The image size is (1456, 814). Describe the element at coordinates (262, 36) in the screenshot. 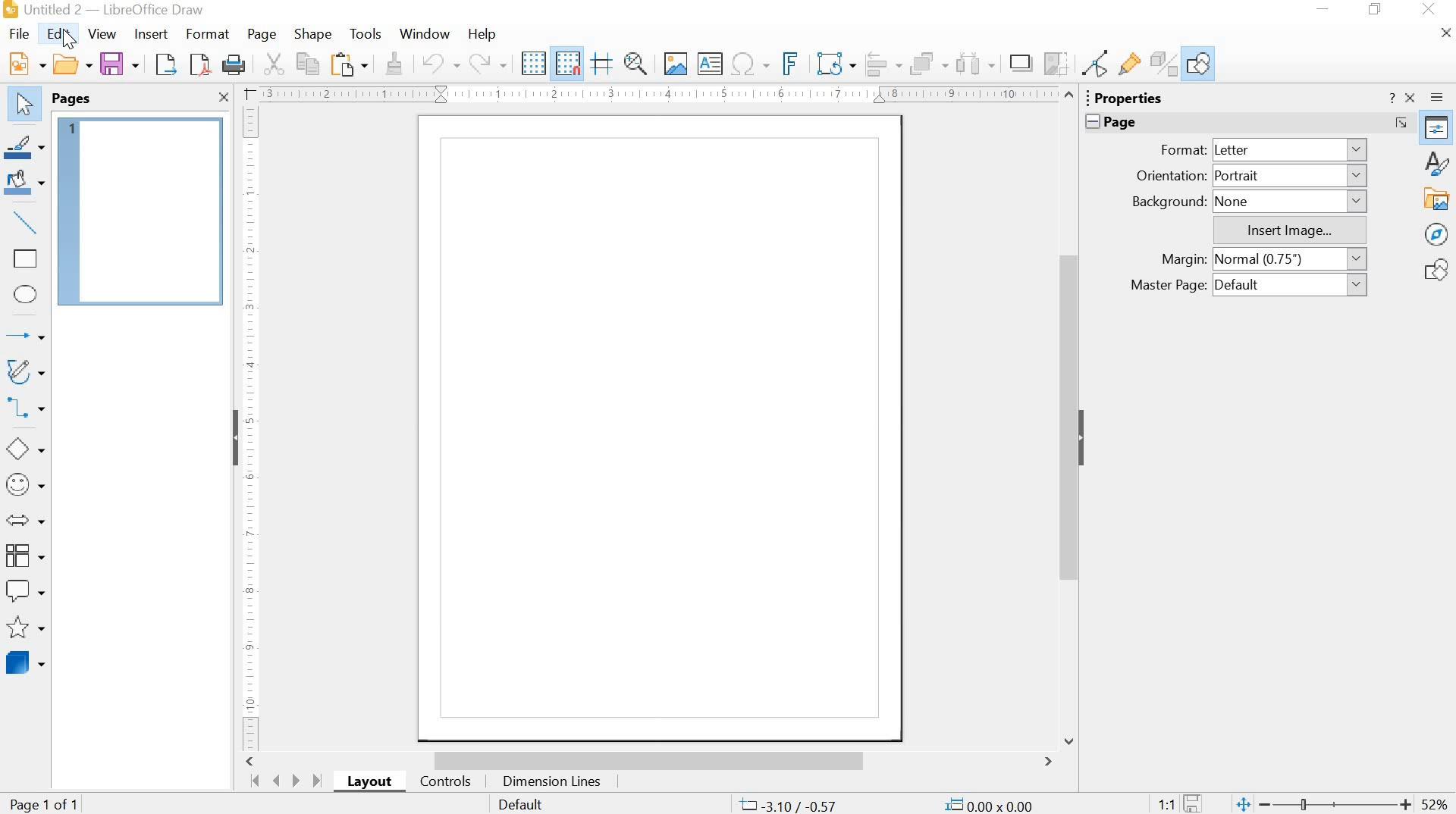

I see `Page` at that location.